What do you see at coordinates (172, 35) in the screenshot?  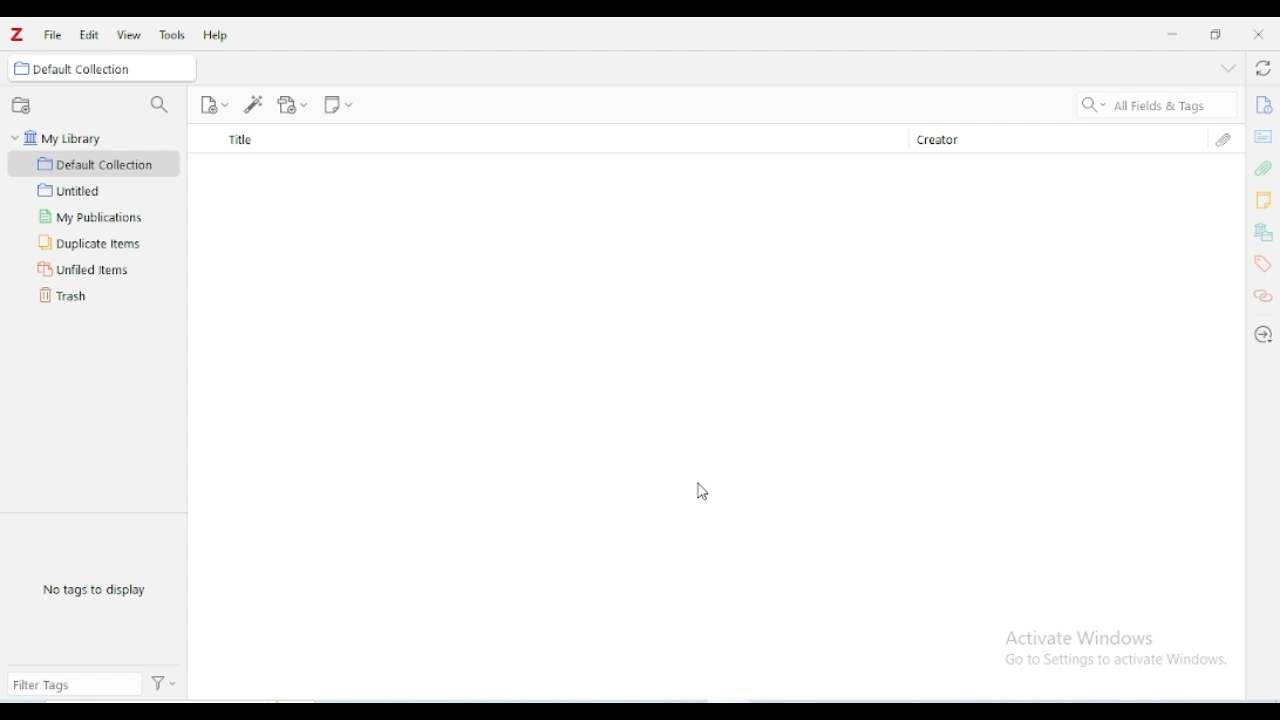 I see `tools` at bounding box center [172, 35].